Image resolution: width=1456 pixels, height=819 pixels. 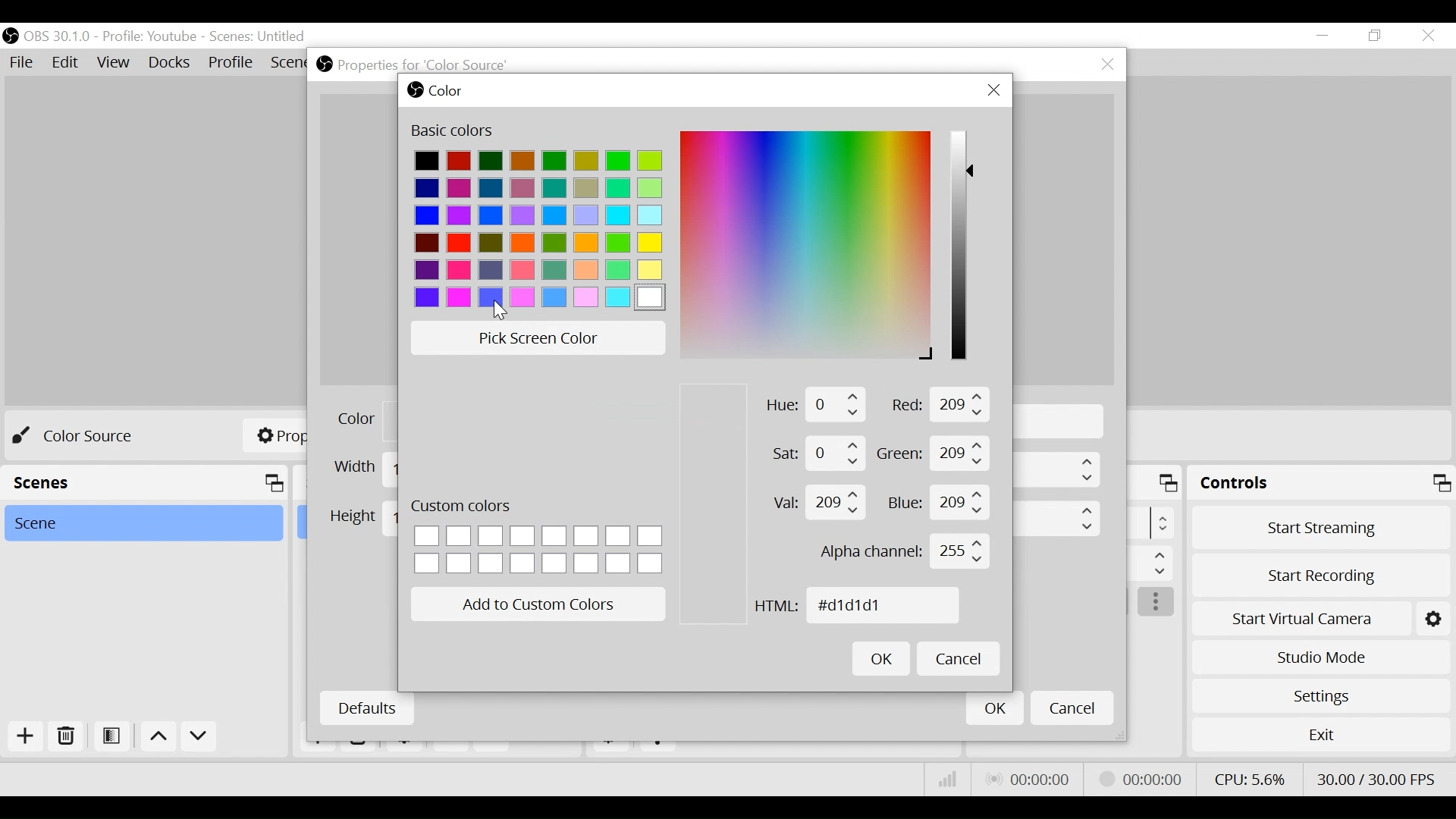 What do you see at coordinates (1321, 577) in the screenshot?
I see `Start Recording` at bounding box center [1321, 577].